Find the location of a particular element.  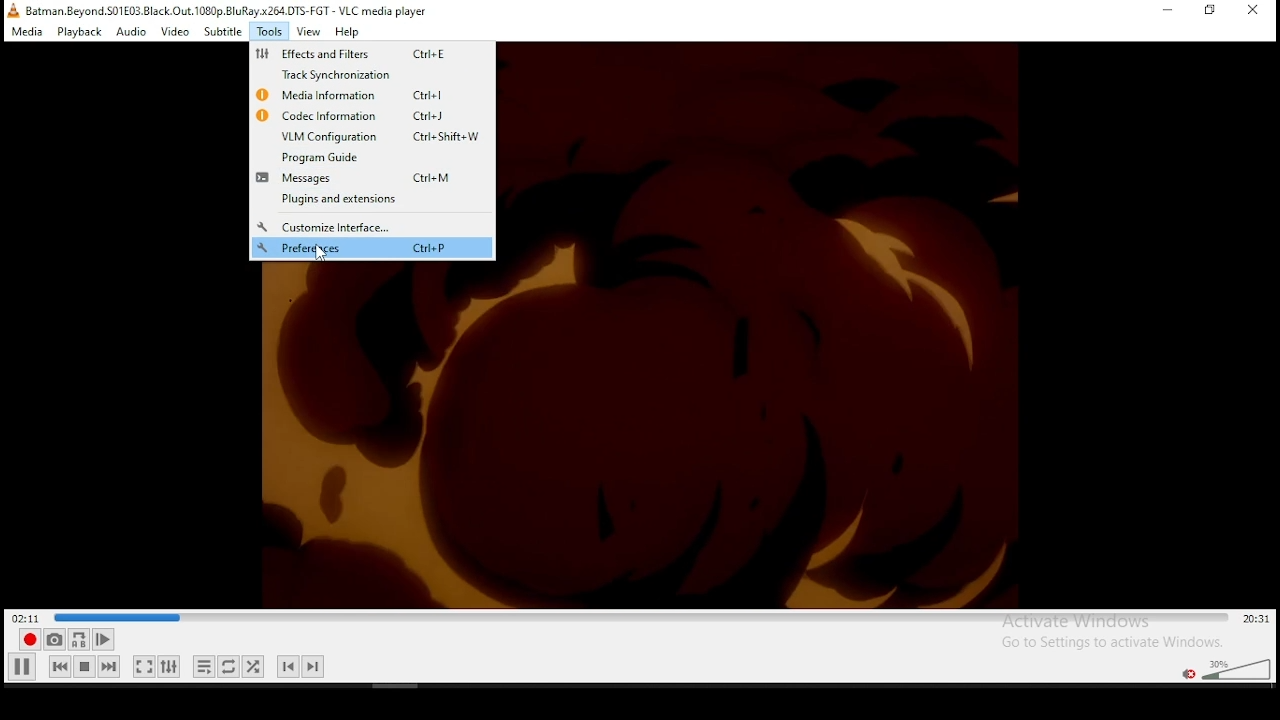

media information is located at coordinates (349, 95).